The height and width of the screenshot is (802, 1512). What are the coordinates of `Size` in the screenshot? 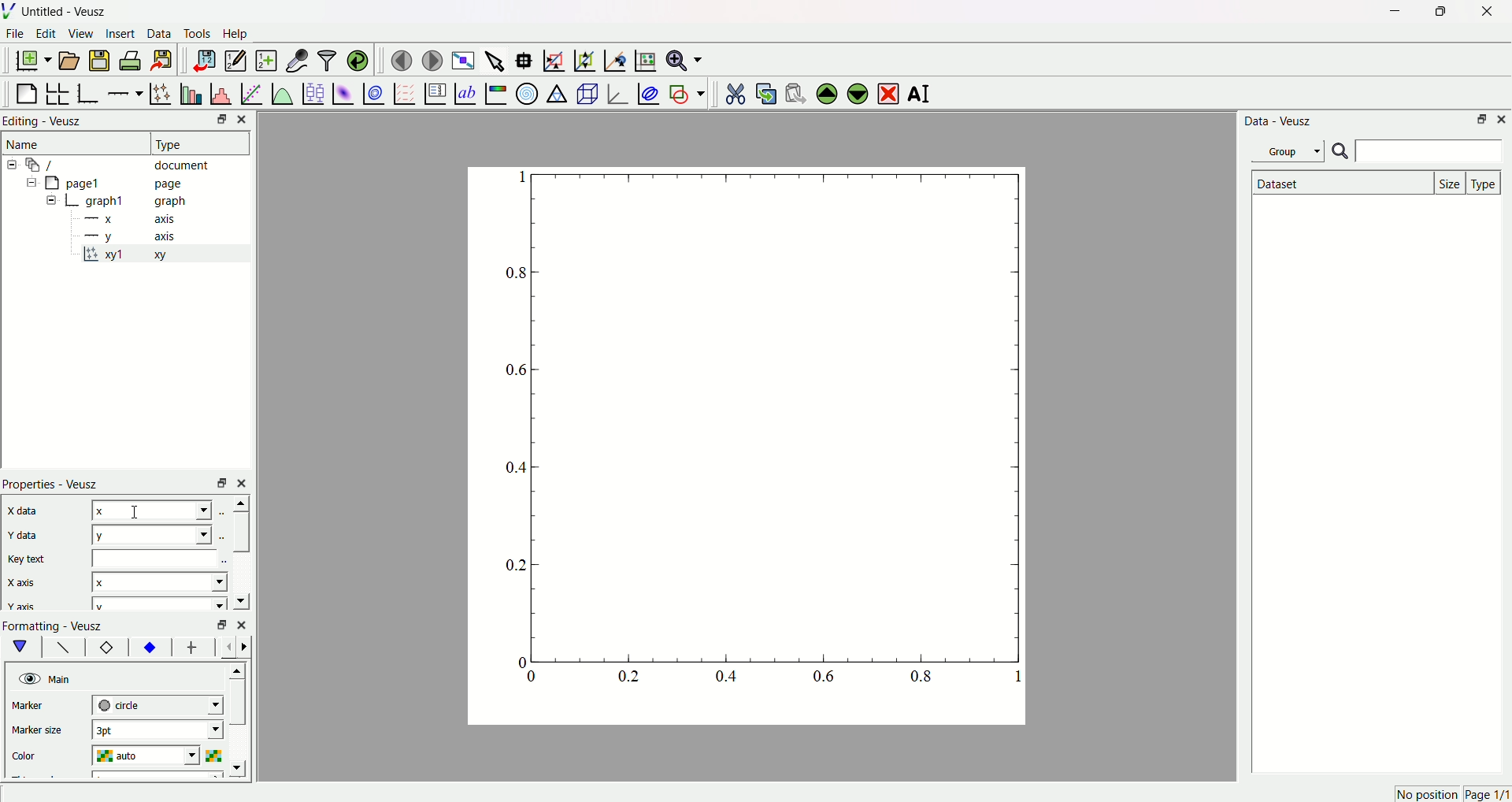 It's located at (1451, 182).